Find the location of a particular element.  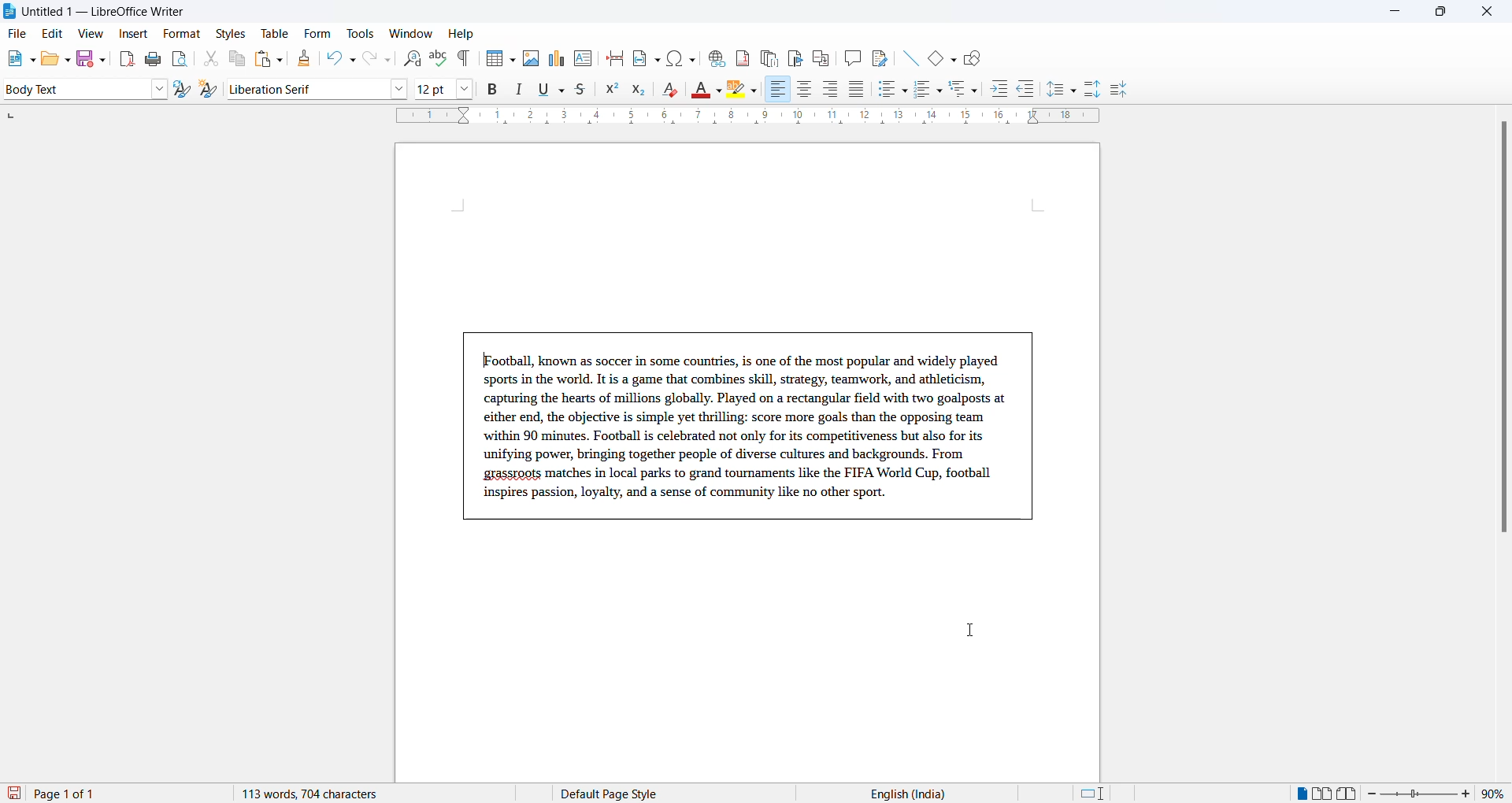

subscript is located at coordinates (643, 91).